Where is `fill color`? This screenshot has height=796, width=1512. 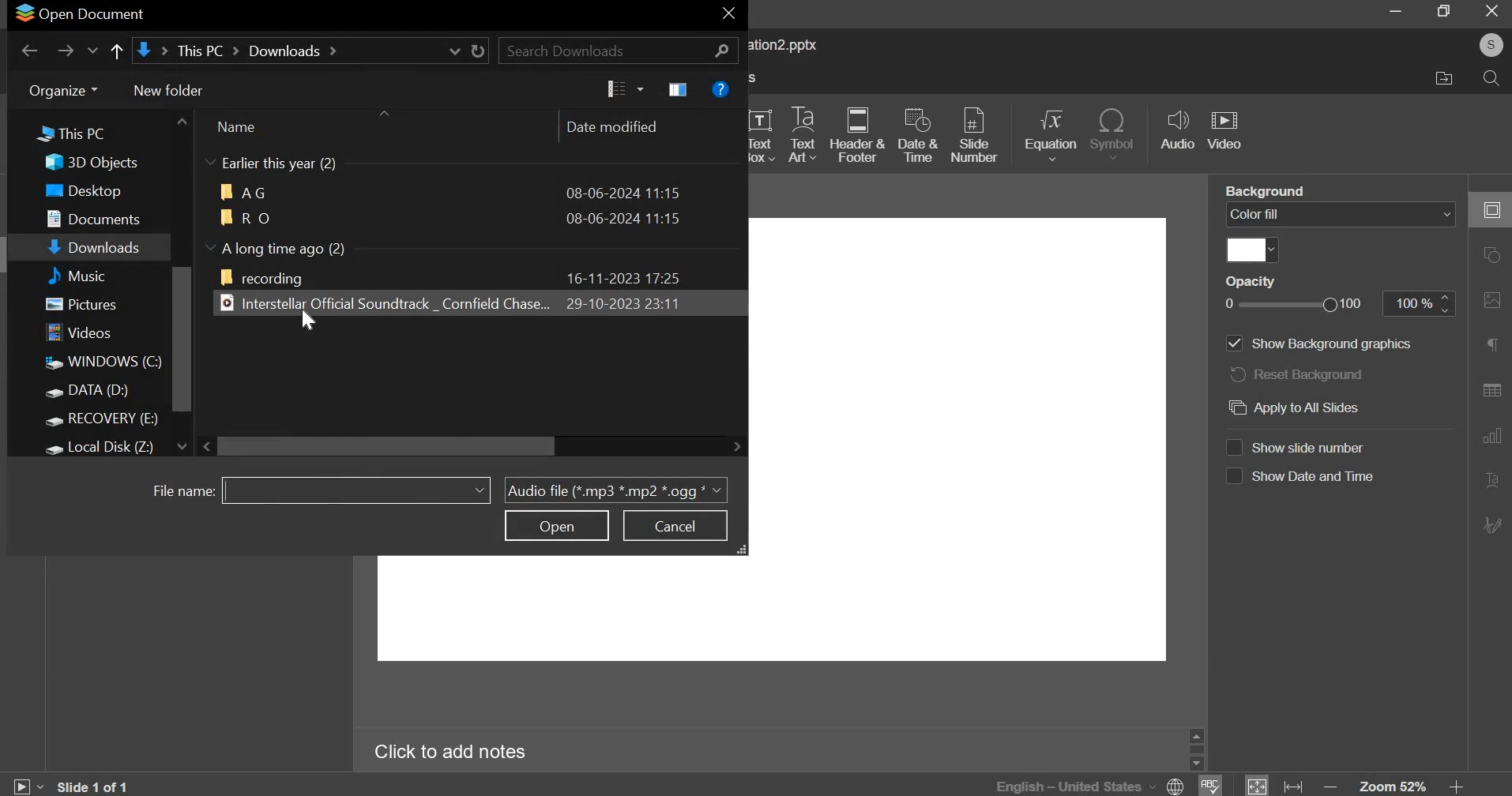 fill color is located at coordinates (1254, 250).